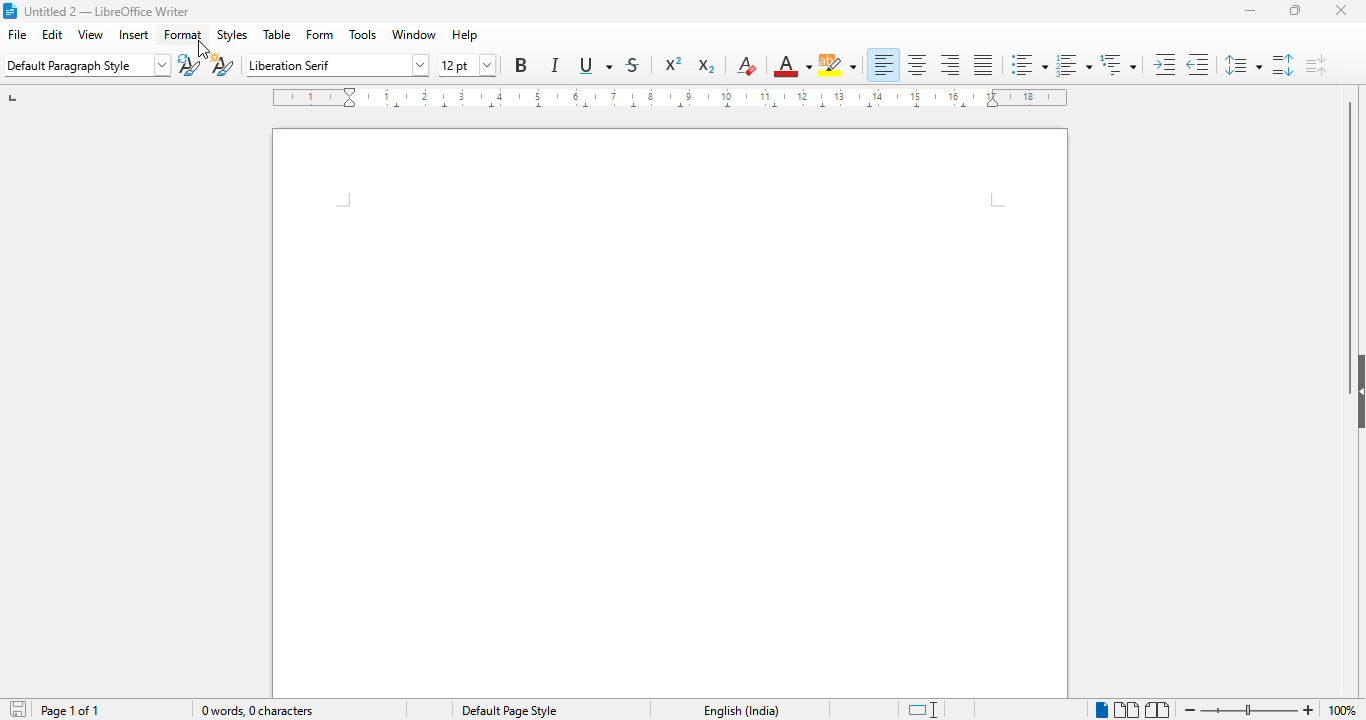 The height and width of the screenshot is (720, 1366). I want to click on zoom in or zoom out bar, so click(1248, 711).